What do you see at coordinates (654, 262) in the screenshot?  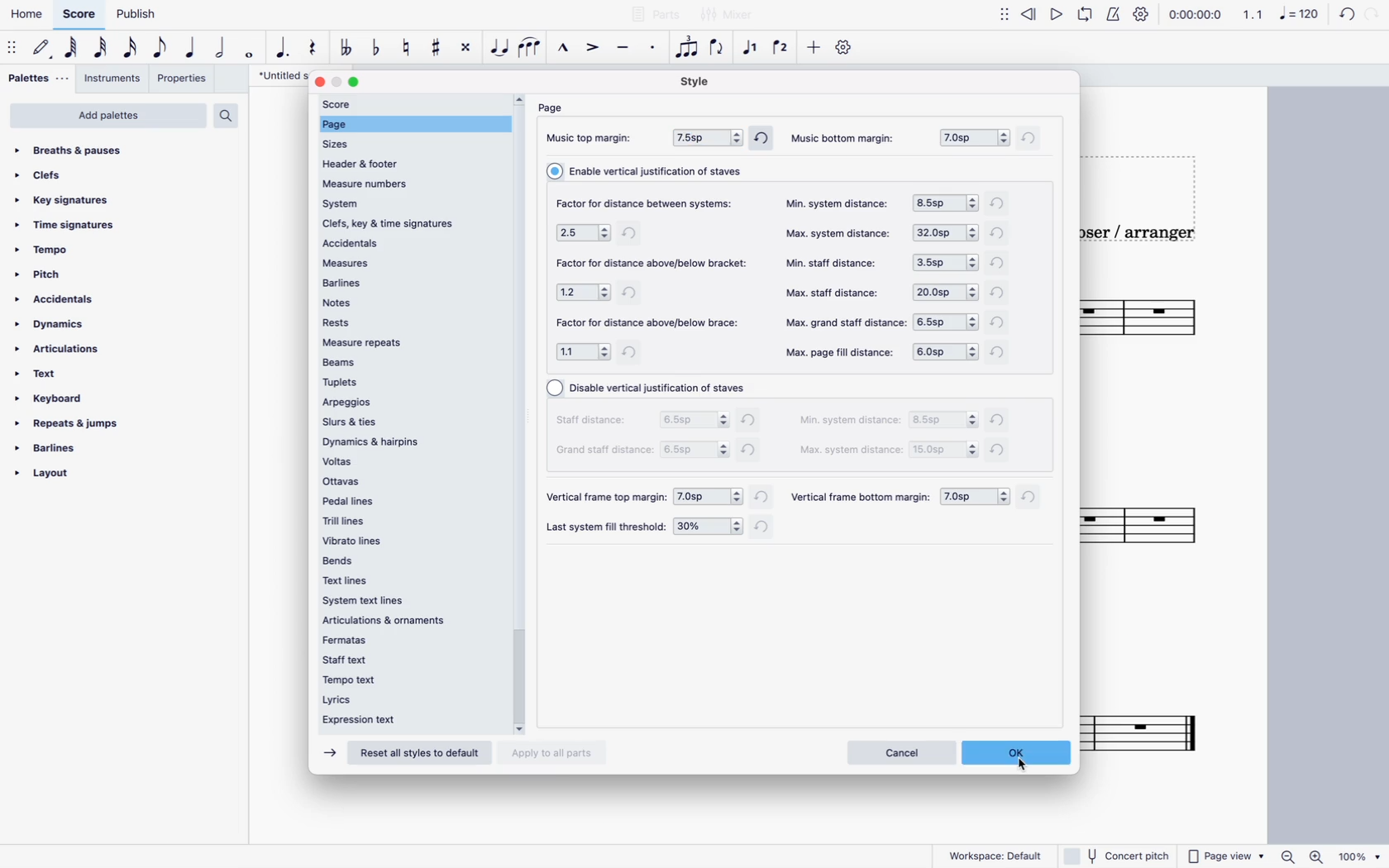 I see `factor for distance` at bounding box center [654, 262].